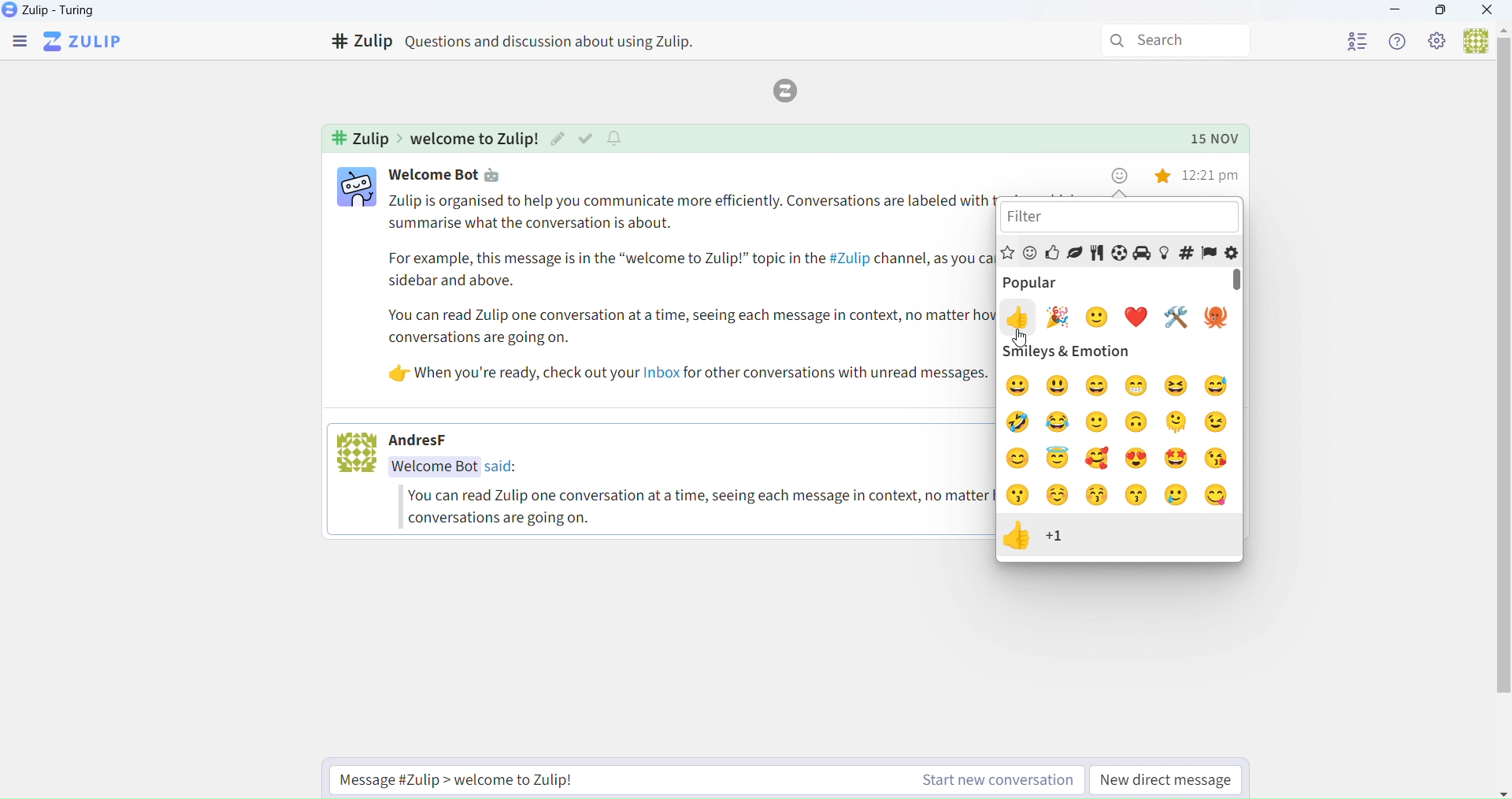 The width and height of the screenshot is (1512, 799). I want to click on thumsup, so click(1020, 318).